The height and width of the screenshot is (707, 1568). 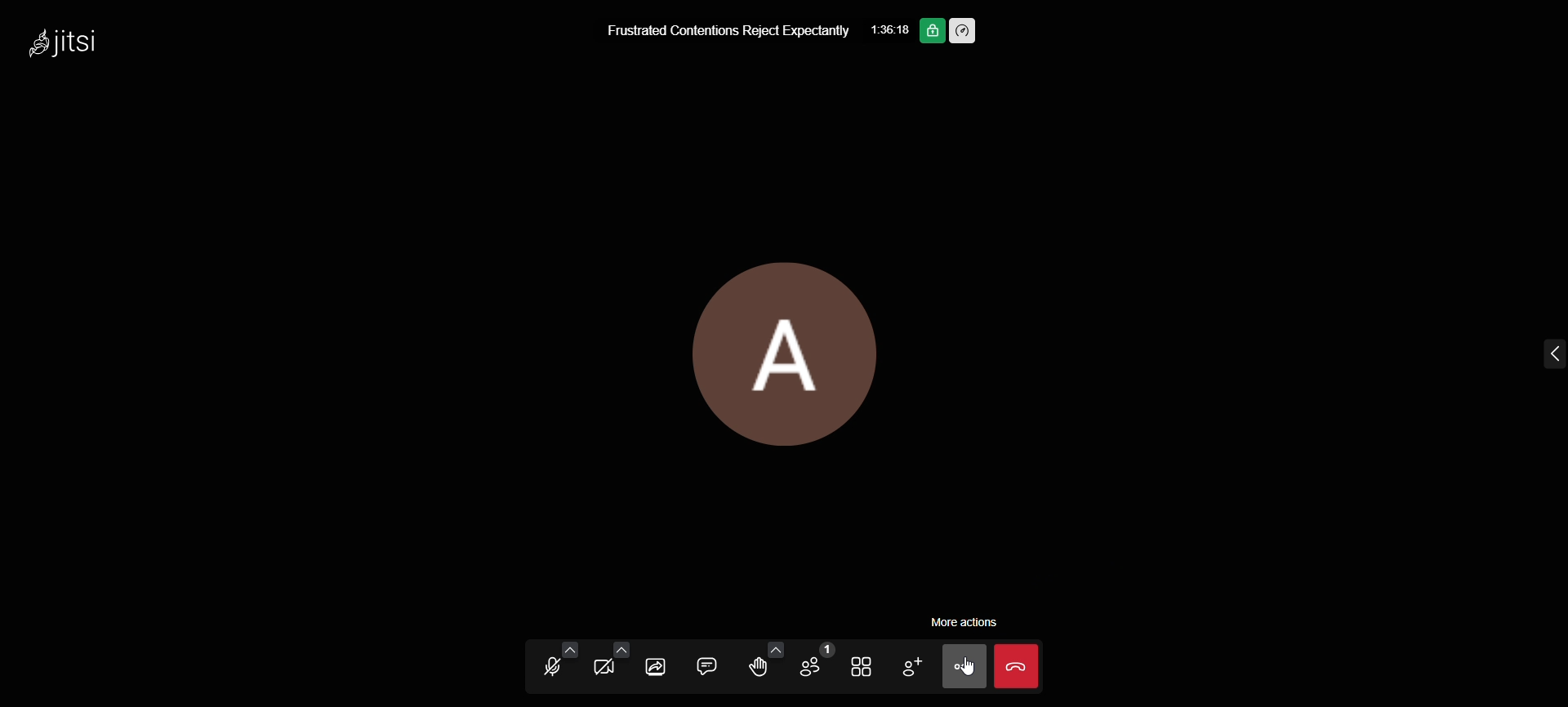 What do you see at coordinates (971, 620) in the screenshot?
I see `more action` at bounding box center [971, 620].